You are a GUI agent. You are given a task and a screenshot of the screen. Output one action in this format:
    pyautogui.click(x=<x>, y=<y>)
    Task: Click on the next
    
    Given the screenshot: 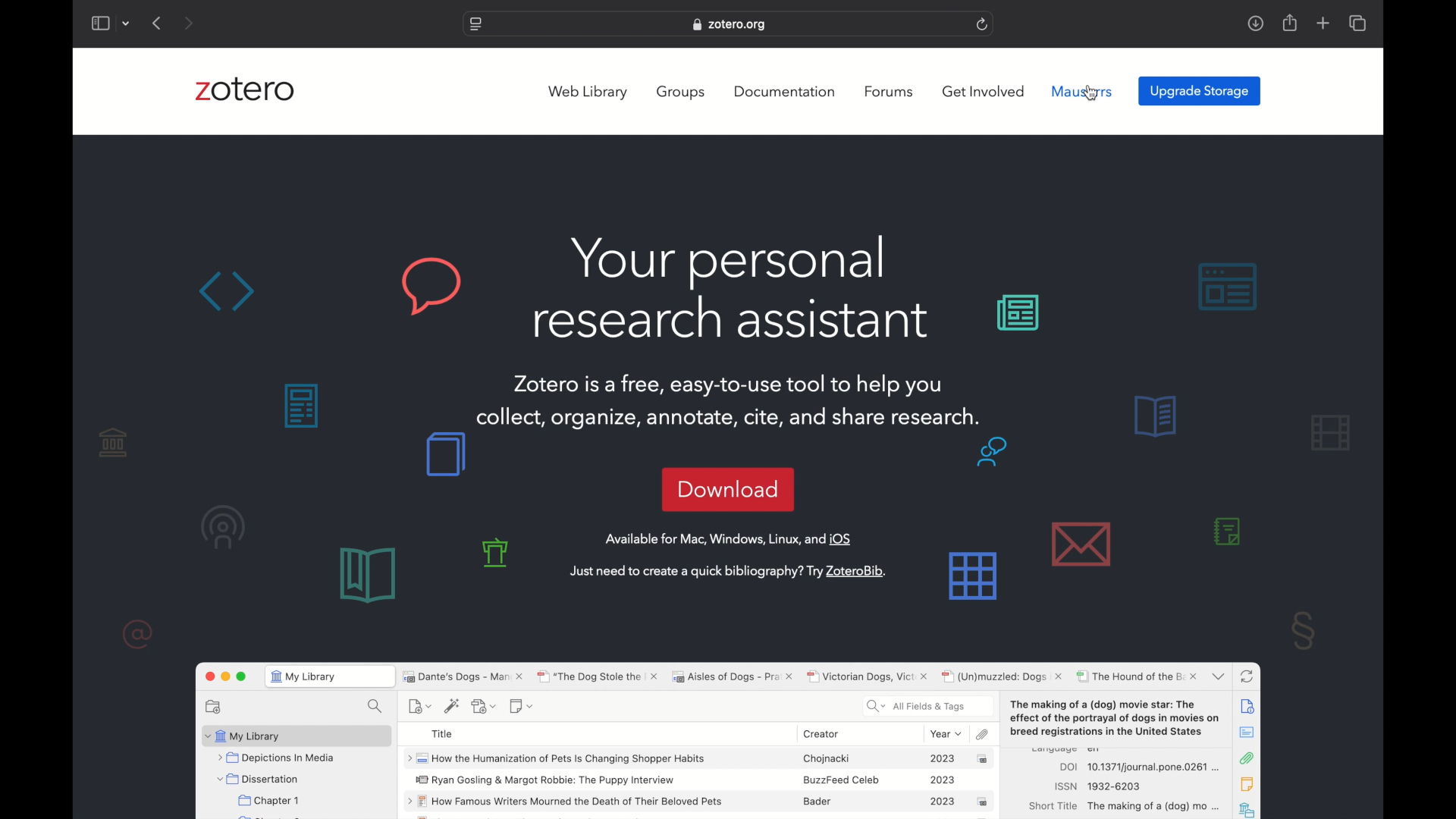 What is the action you would take?
    pyautogui.click(x=191, y=24)
    